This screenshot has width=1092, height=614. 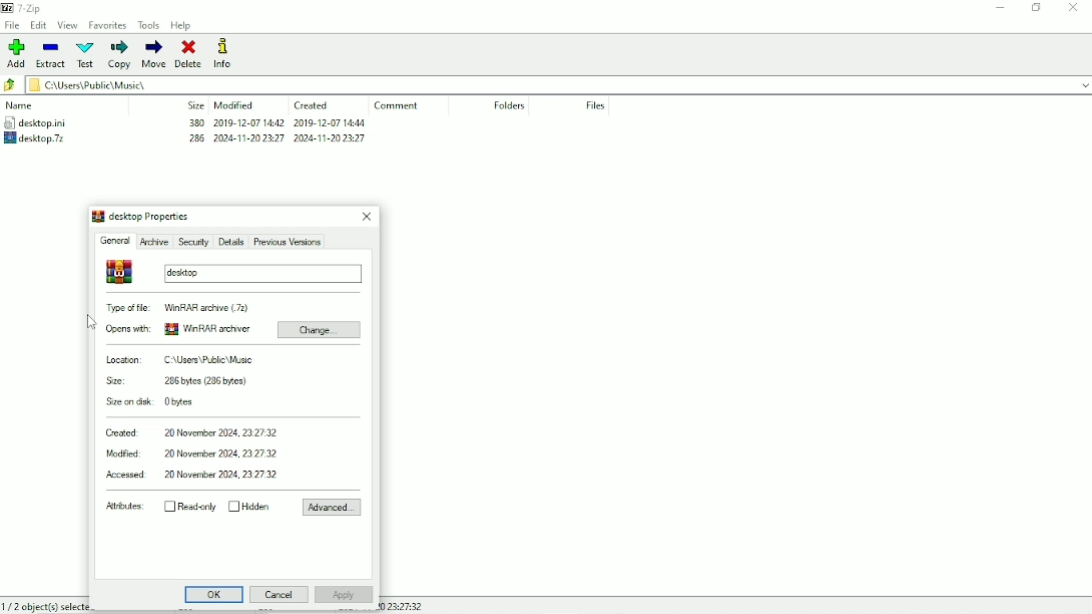 I want to click on created date & time, so click(x=330, y=138).